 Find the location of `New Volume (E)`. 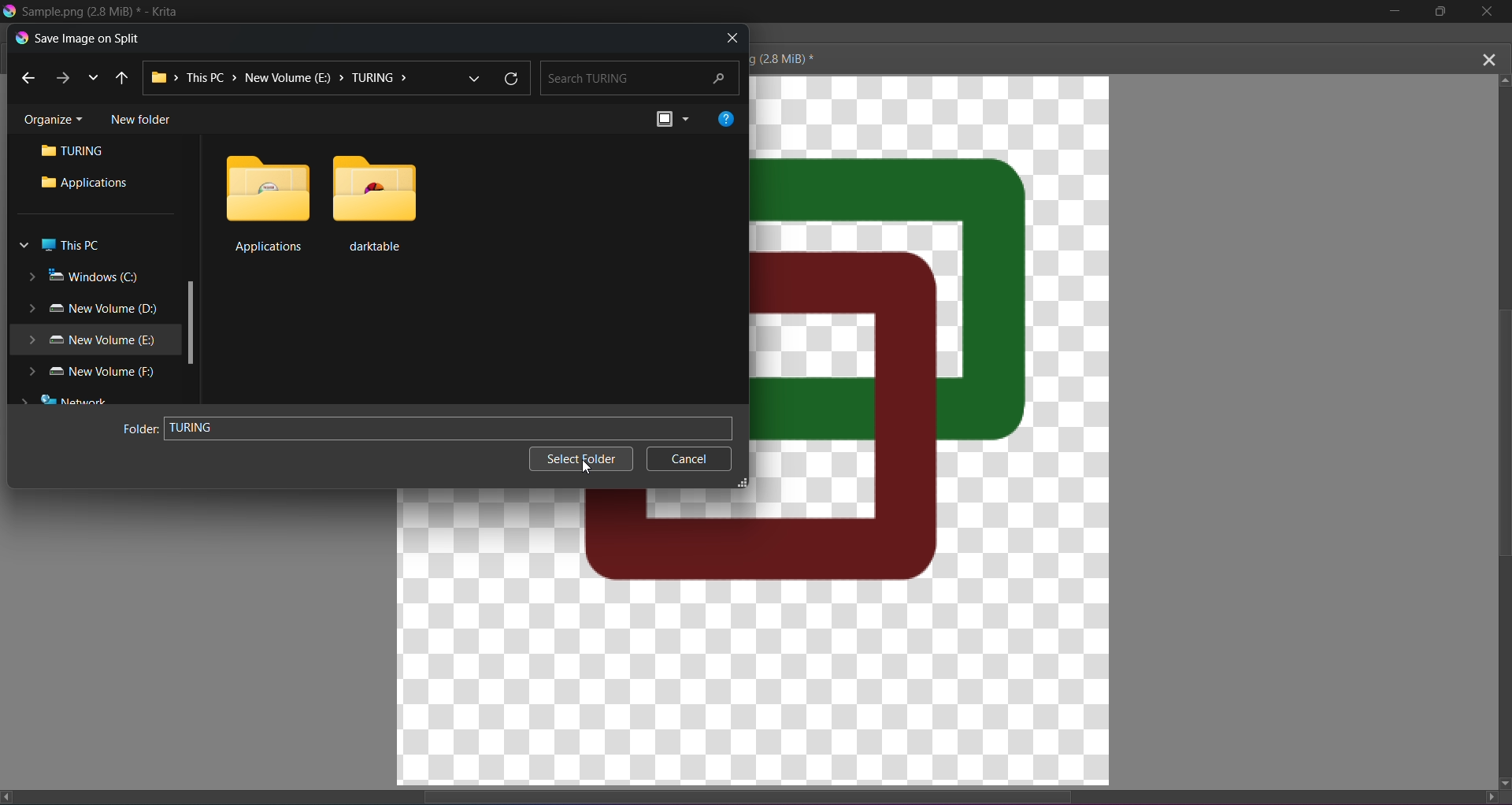

New Volume (E) is located at coordinates (86, 341).